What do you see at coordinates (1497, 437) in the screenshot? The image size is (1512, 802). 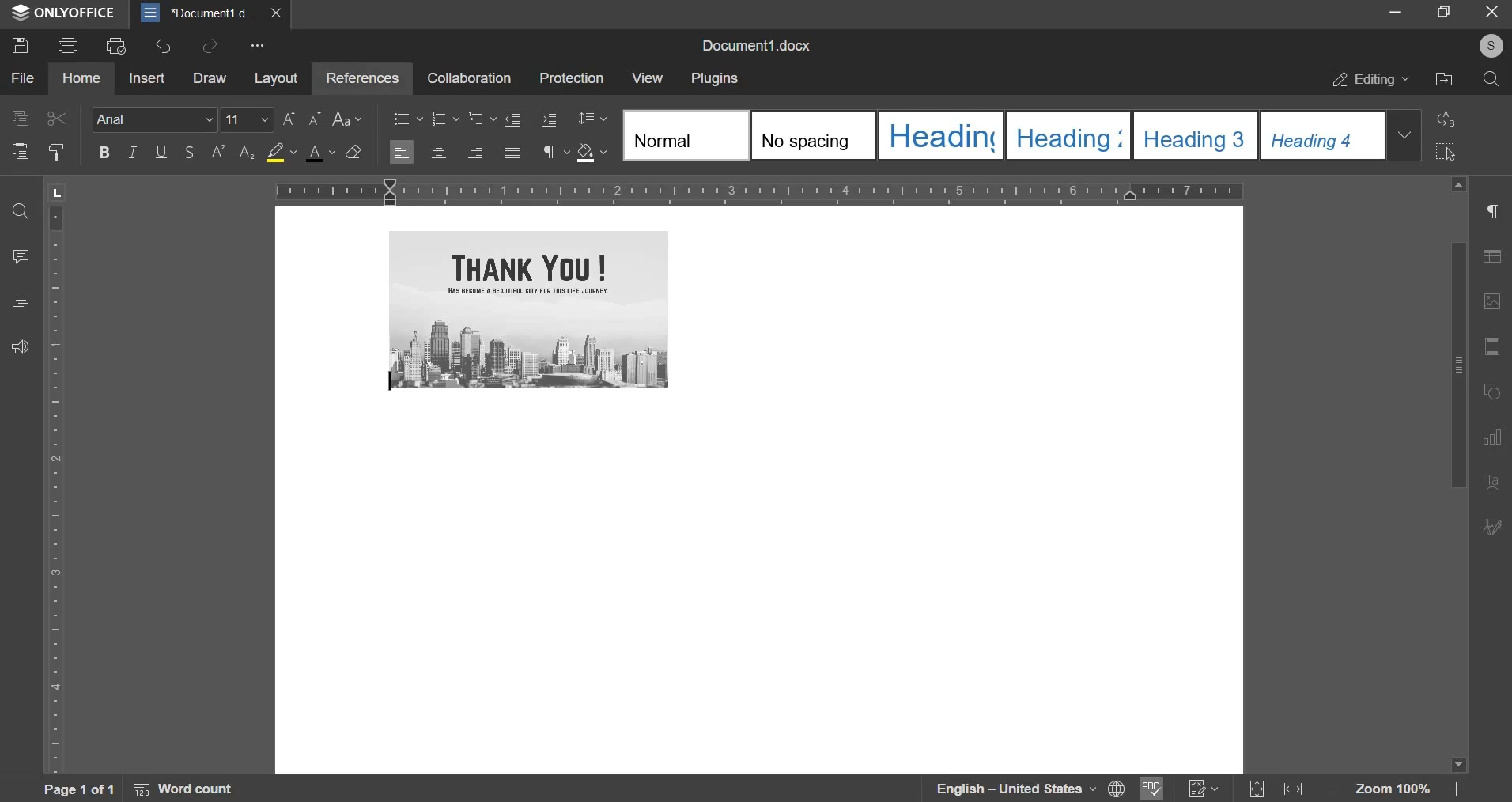 I see `Chart` at bounding box center [1497, 437].